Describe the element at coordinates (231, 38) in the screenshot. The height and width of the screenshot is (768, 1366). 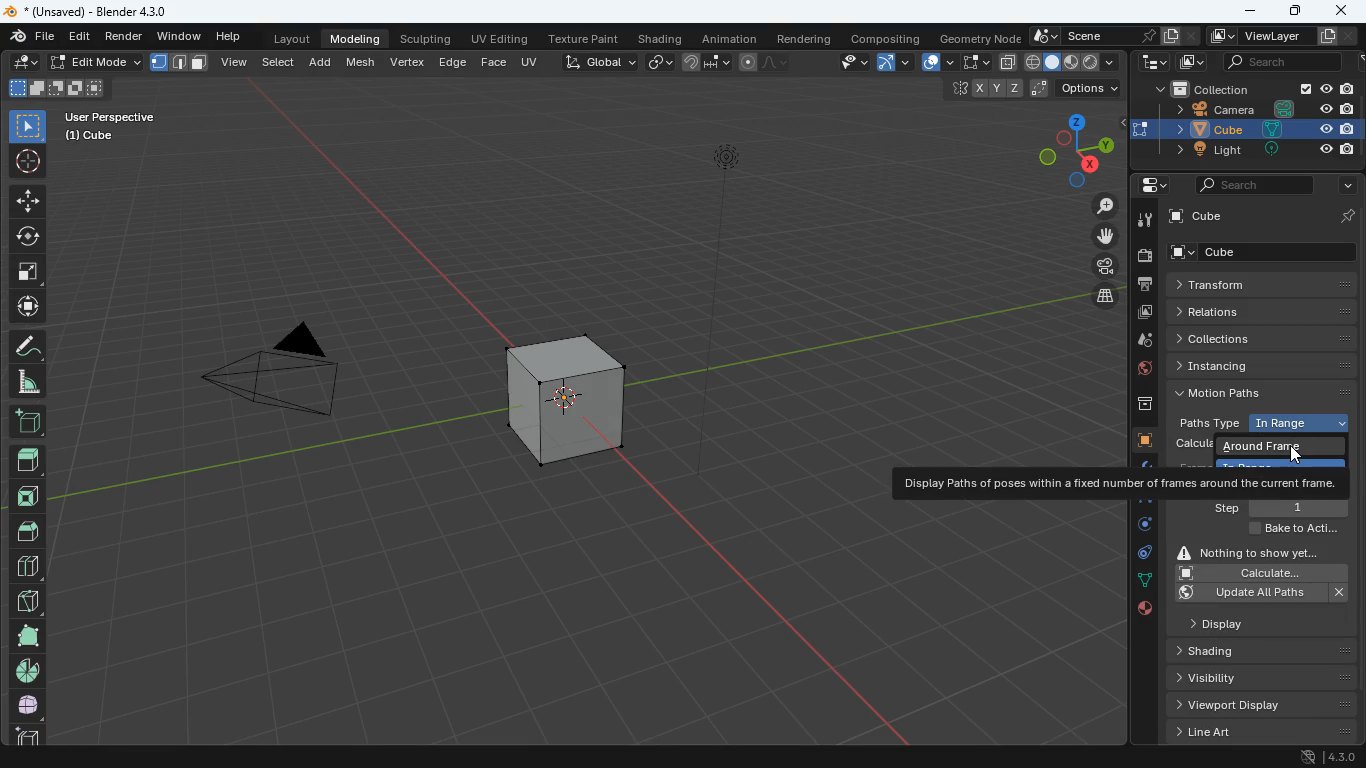
I see `help` at that location.